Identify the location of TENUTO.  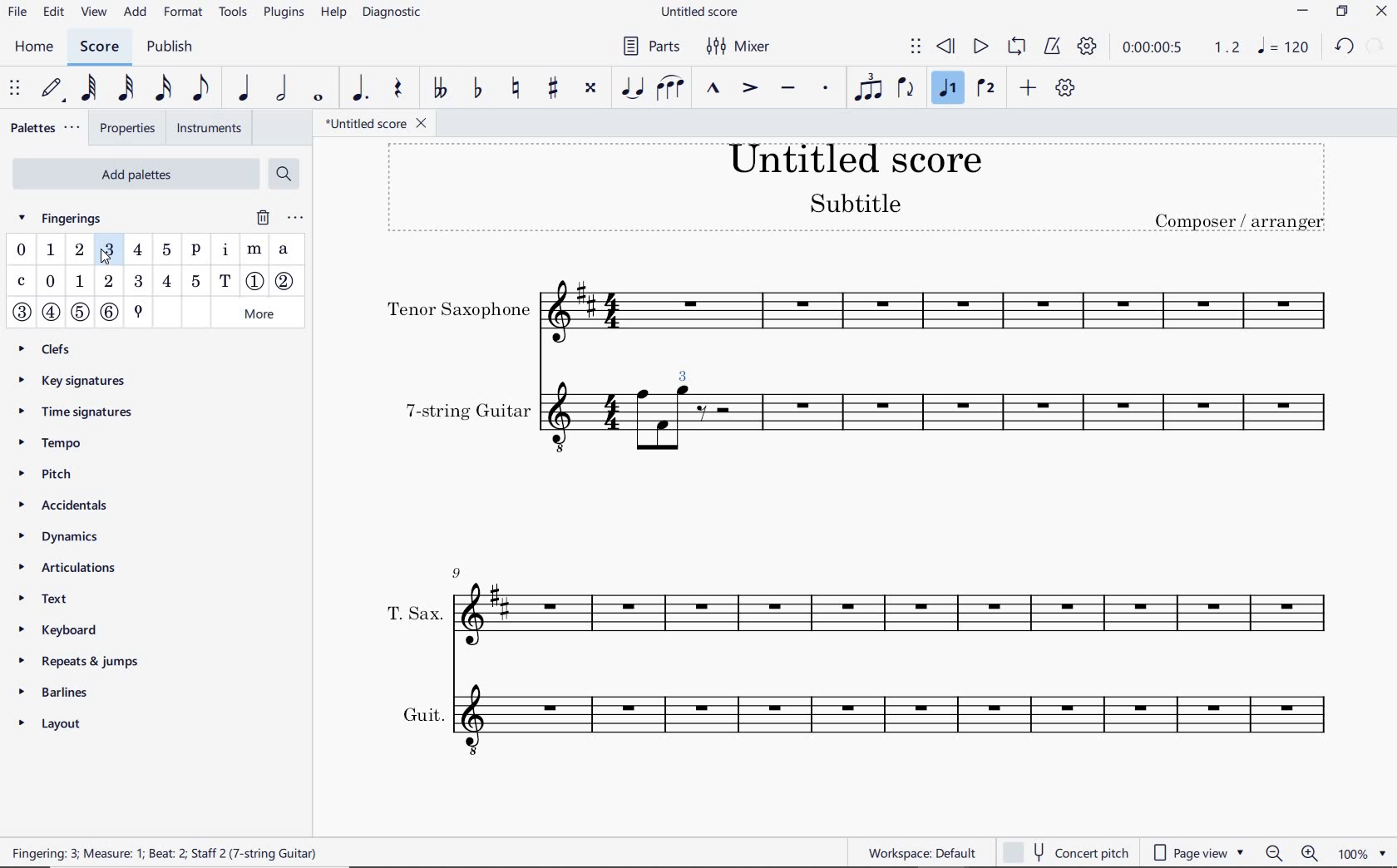
(787, 88).